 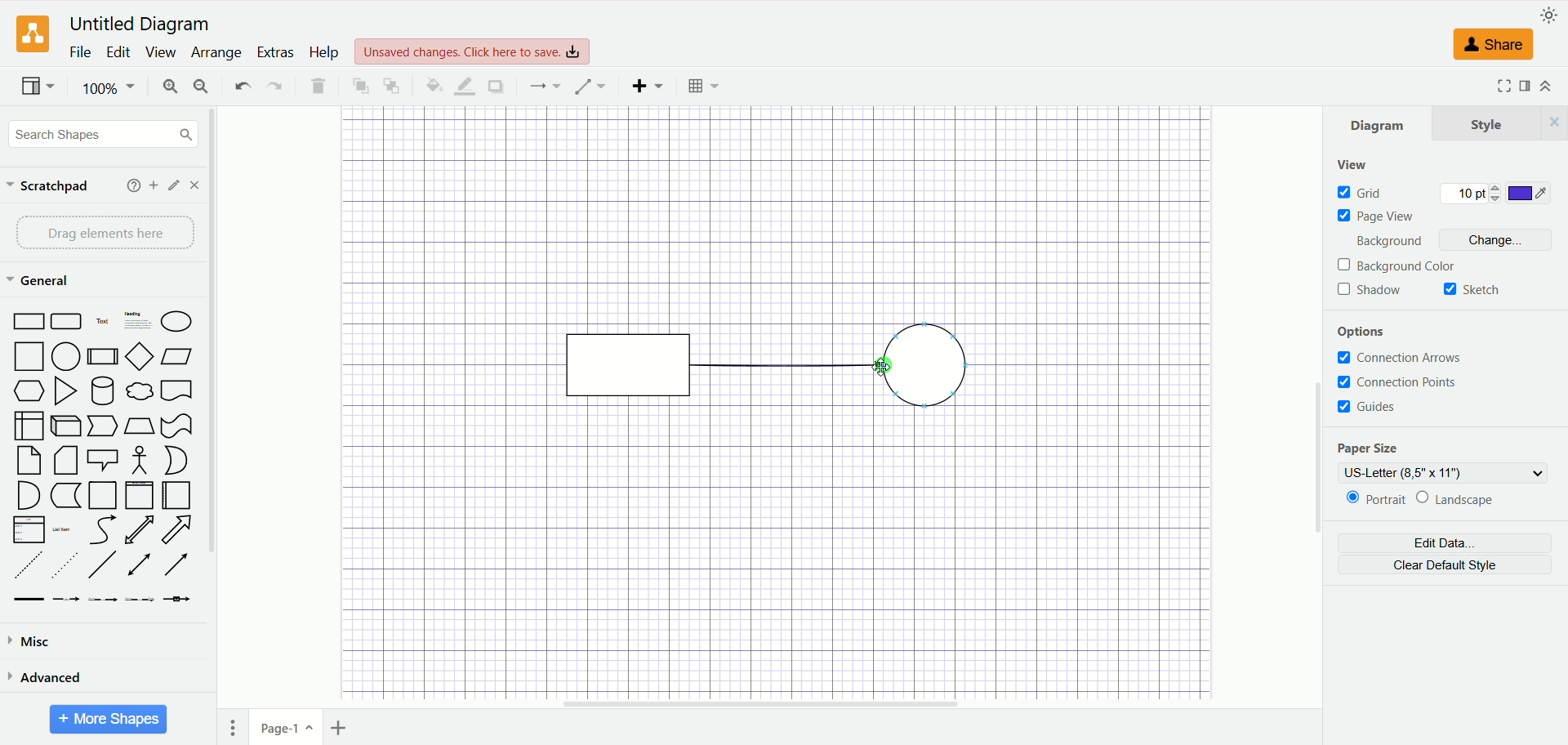 What do you see at coordinates (140, 495) in the screenshot?
I see `Vertical Page` at bounding box center [140, 495].